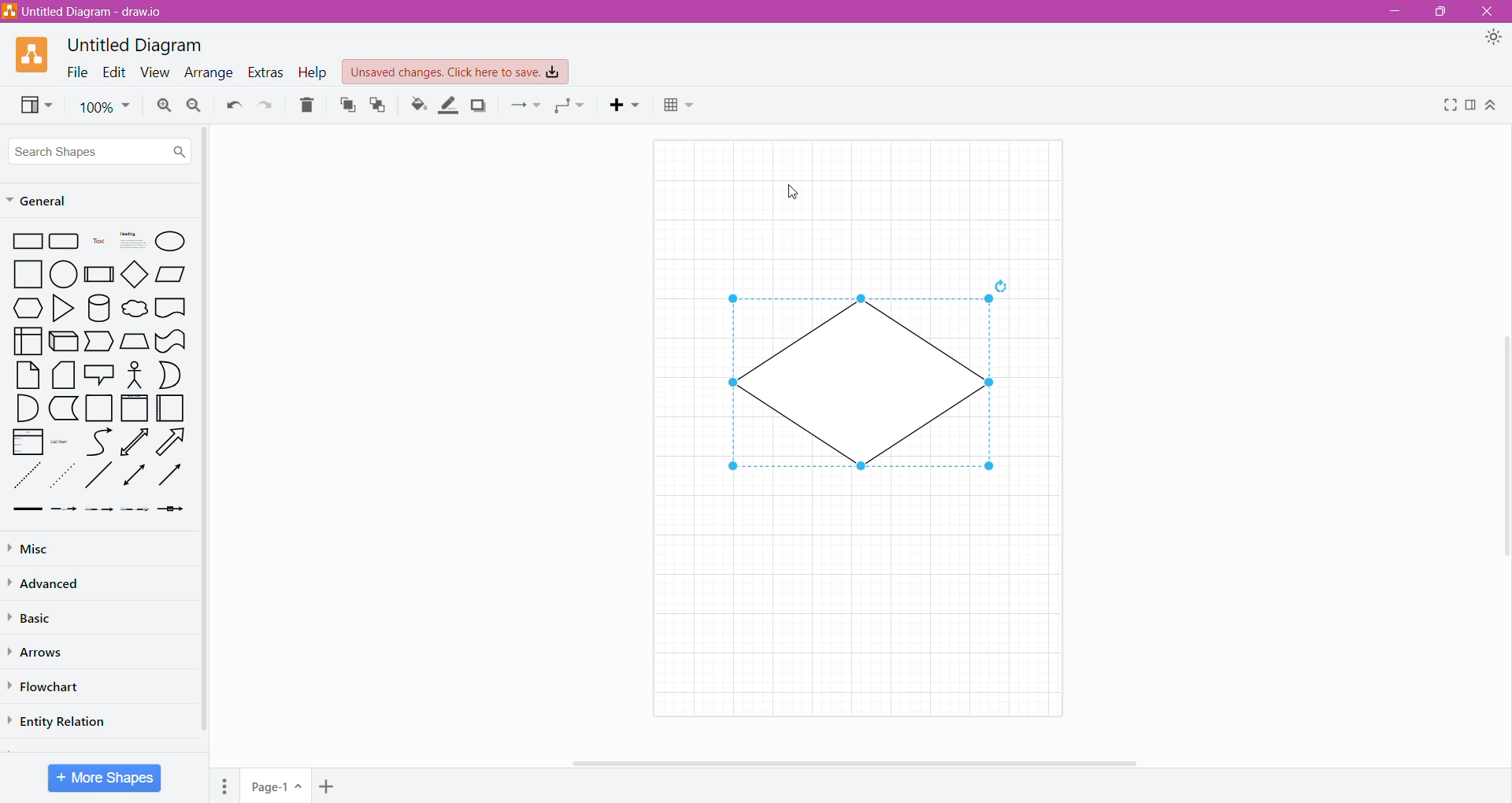 This screenshot has width=1512, height=803. I want to click on Horizontal Container, so click(171, 411).